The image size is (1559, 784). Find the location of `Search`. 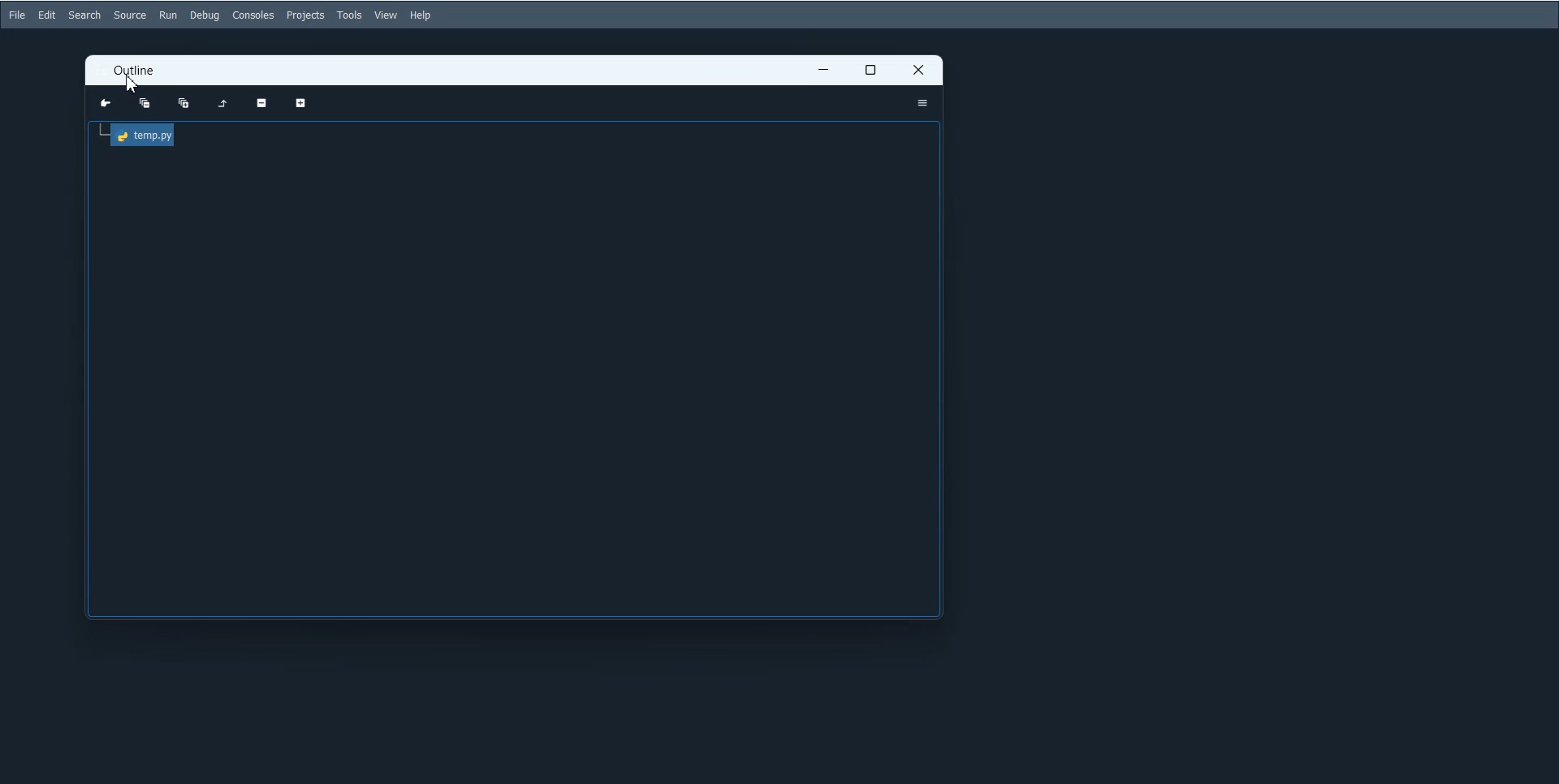

Search is located at coordinates (84, 15).